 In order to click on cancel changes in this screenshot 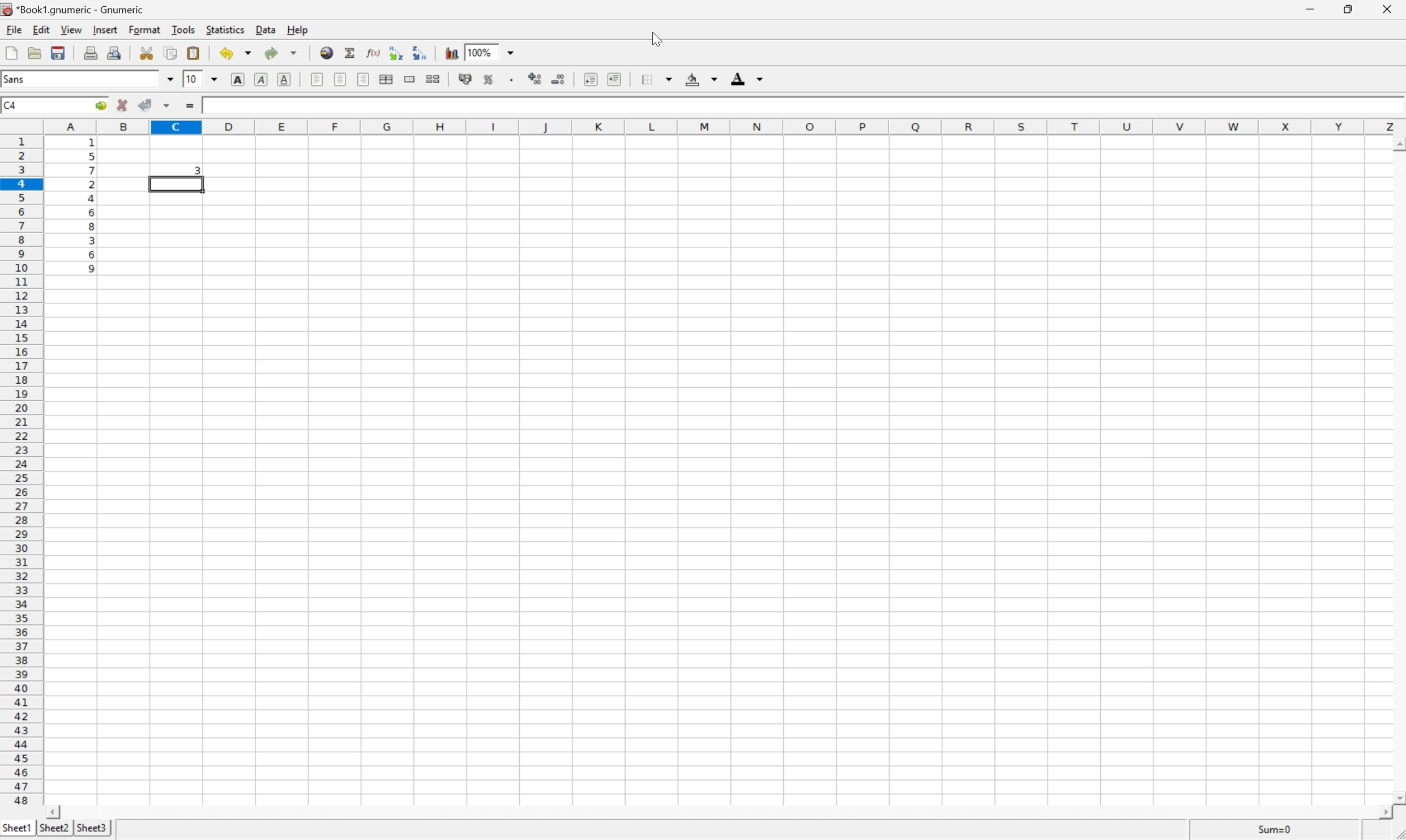, I will do `click(122, 104)`.